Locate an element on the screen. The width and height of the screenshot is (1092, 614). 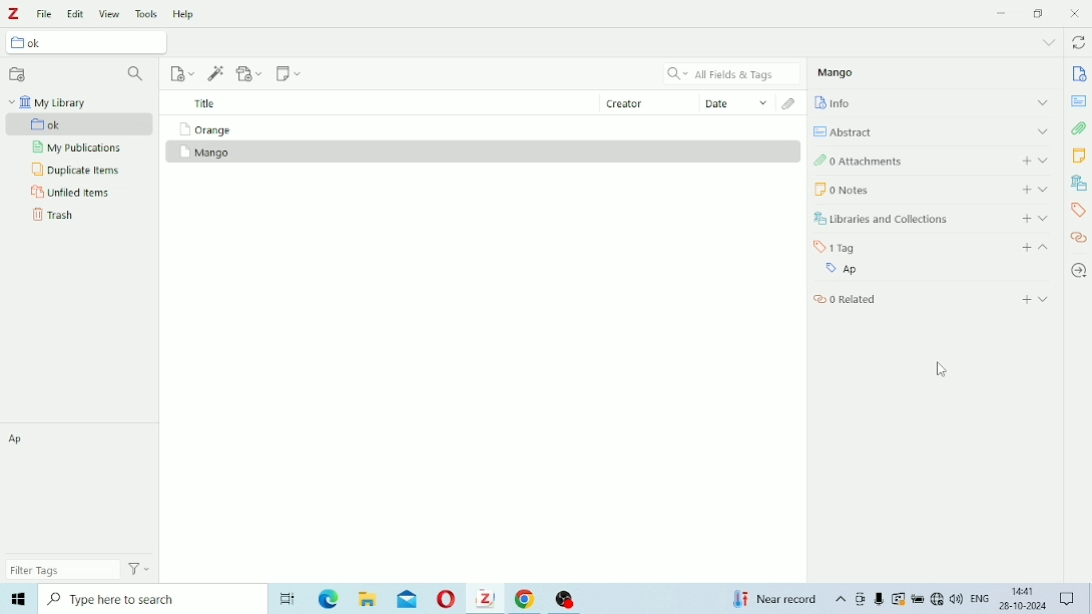
Tags is located at coordinates (934, 247).